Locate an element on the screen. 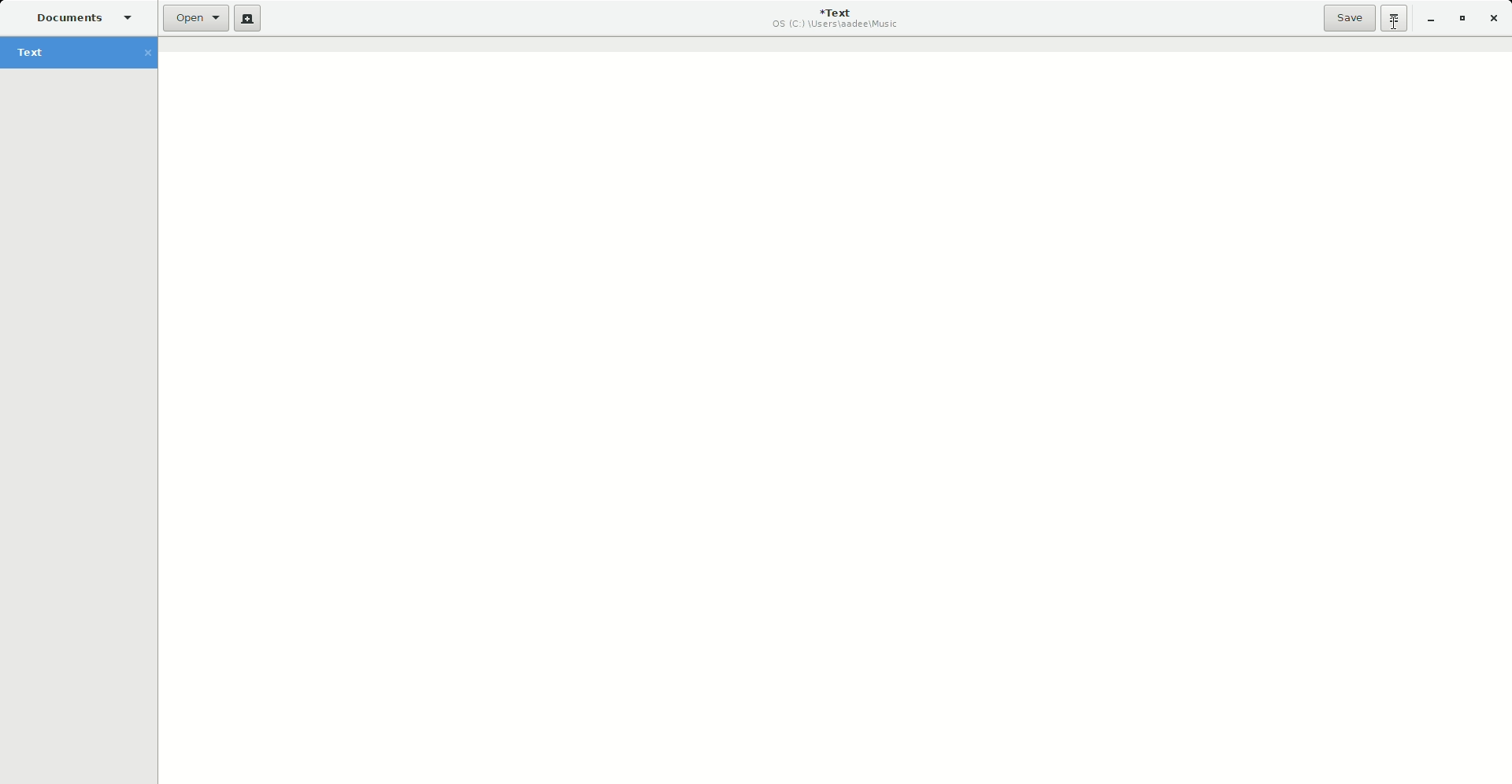  Close is located at coordinates (1495, 19).